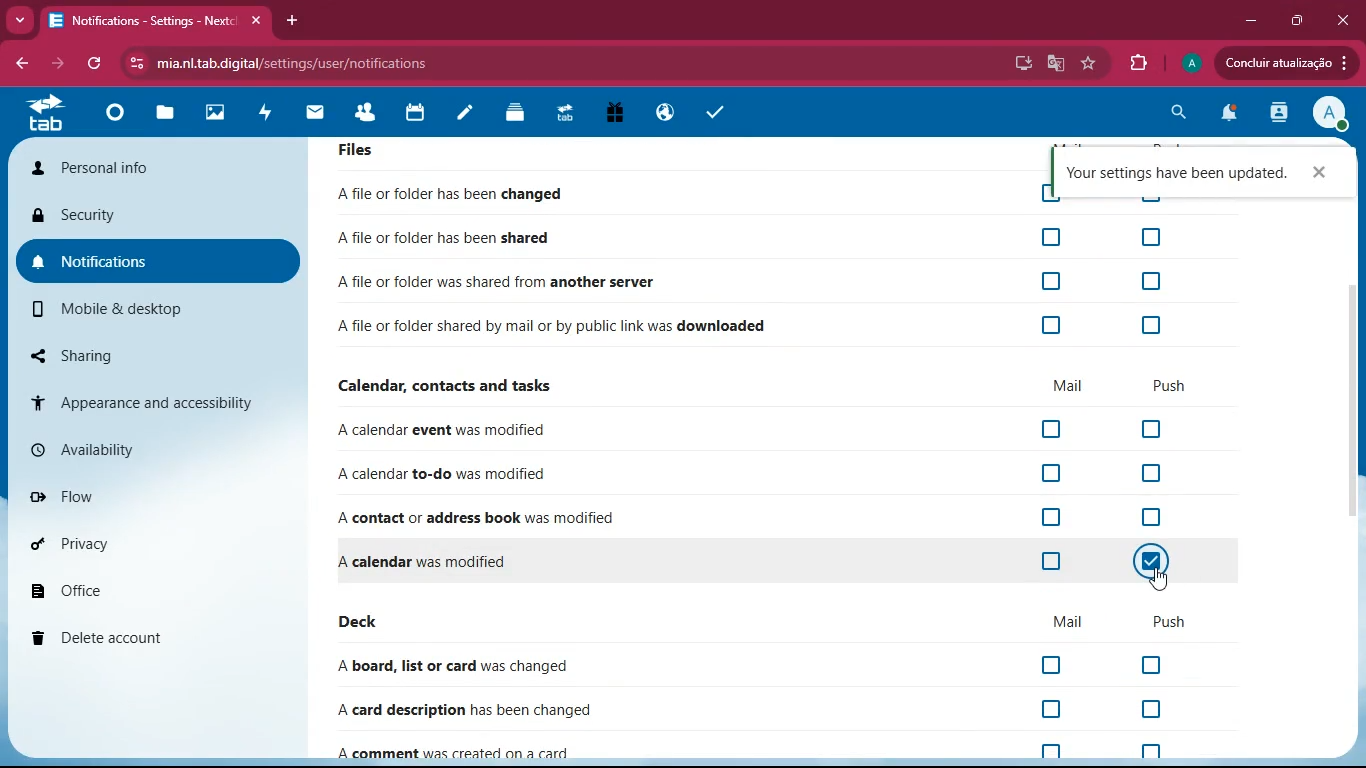 This screenshot has height=768, width=1366. Describe the element at coordinates (549, 281) in the screenshot. I see `file shared from another server` at that location.